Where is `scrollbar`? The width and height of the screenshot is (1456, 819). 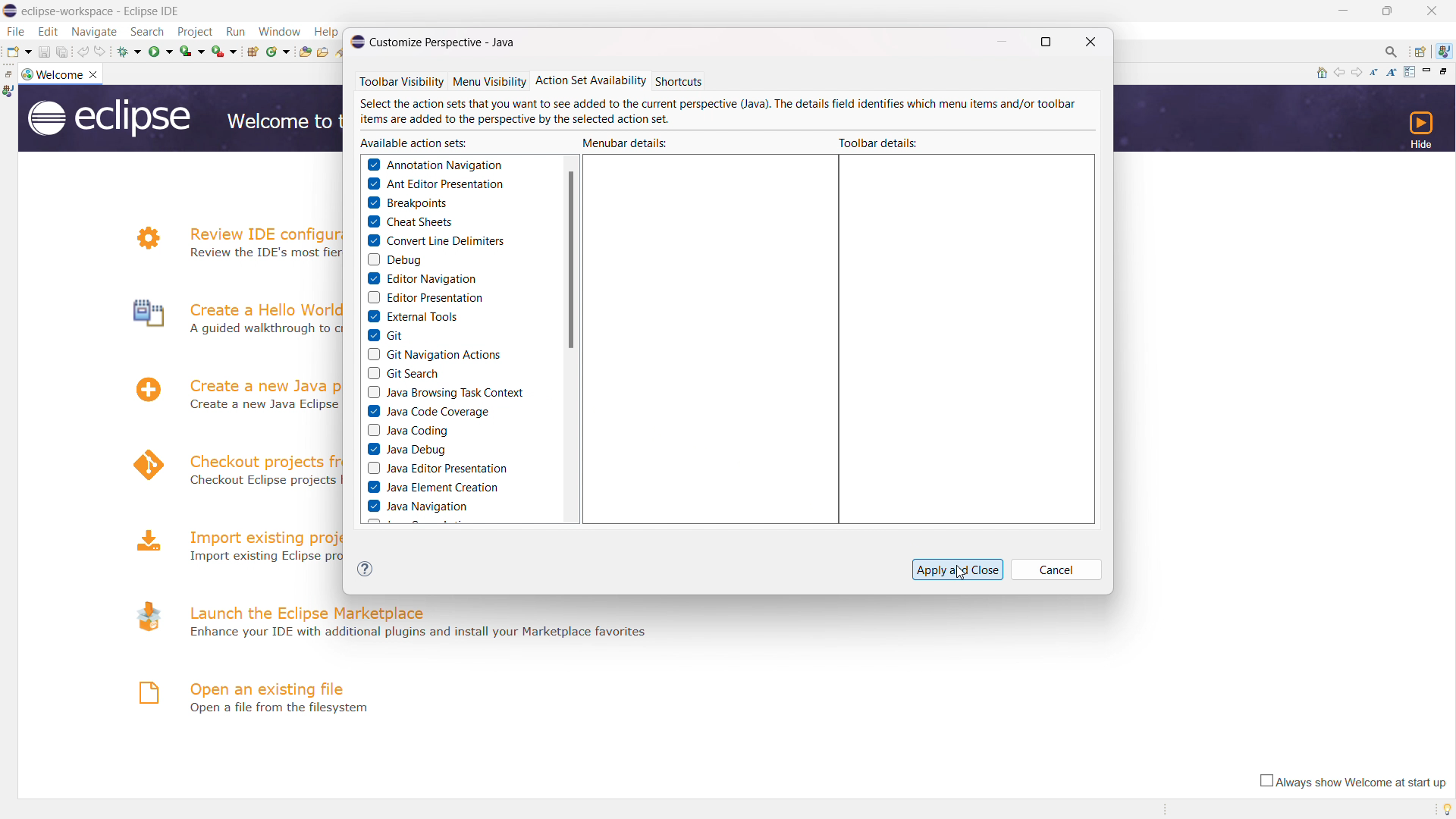 scrollbar is located at coordinates (572, 260).